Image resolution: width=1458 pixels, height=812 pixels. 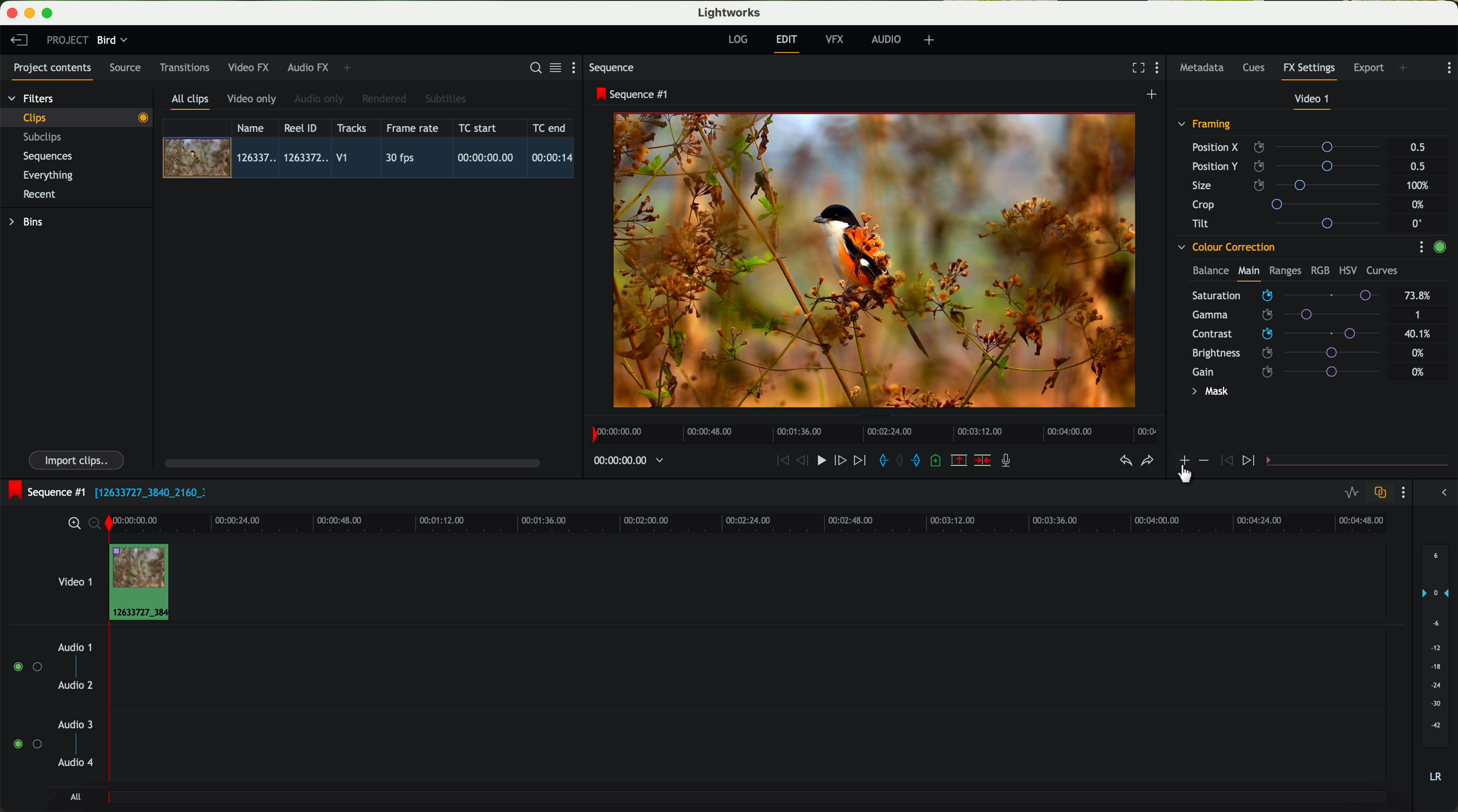 I want to click on nudge one frame foward, so click(x=842, y=461).